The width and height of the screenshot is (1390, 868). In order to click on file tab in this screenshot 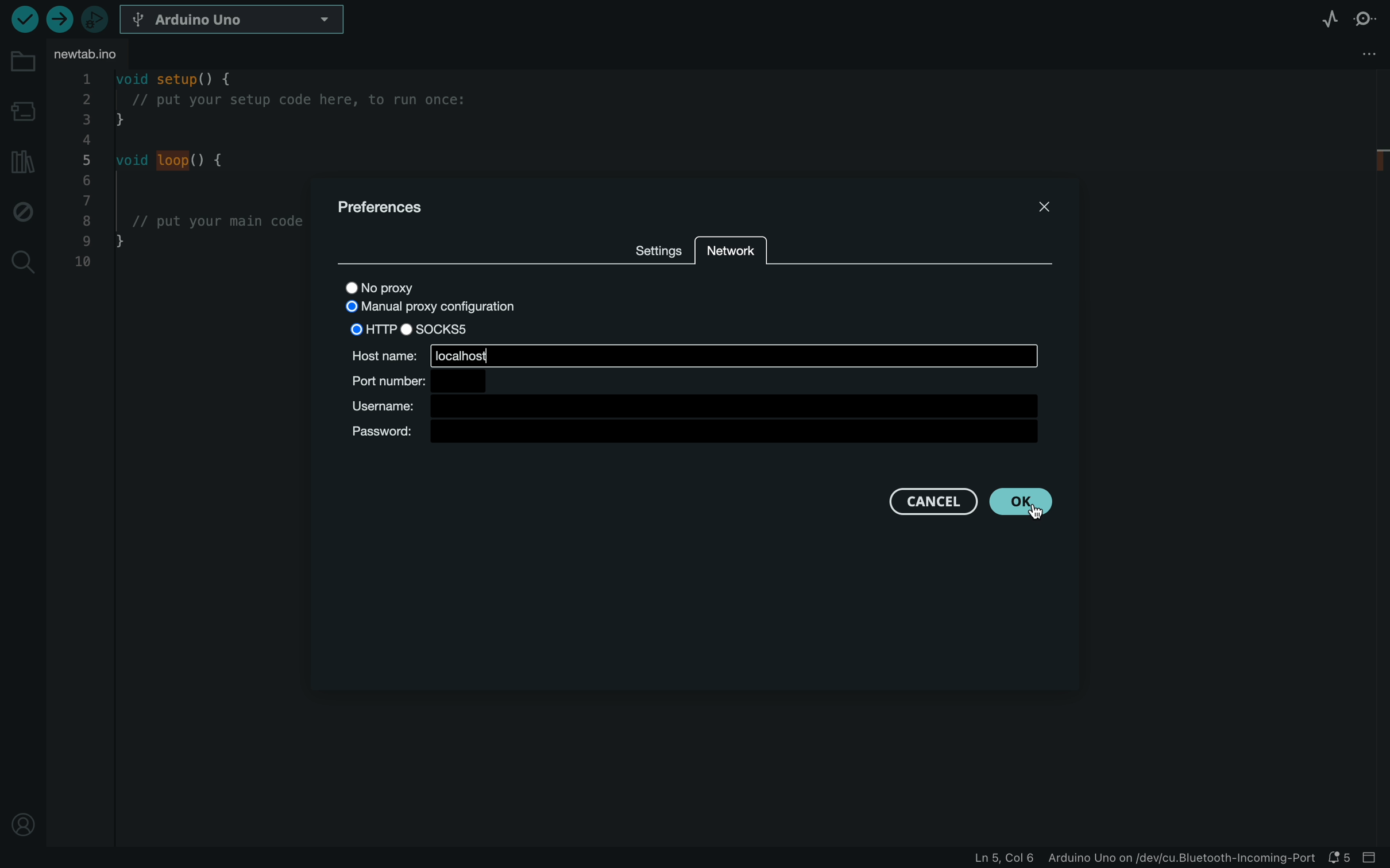, I will do `click(98, 55)`.